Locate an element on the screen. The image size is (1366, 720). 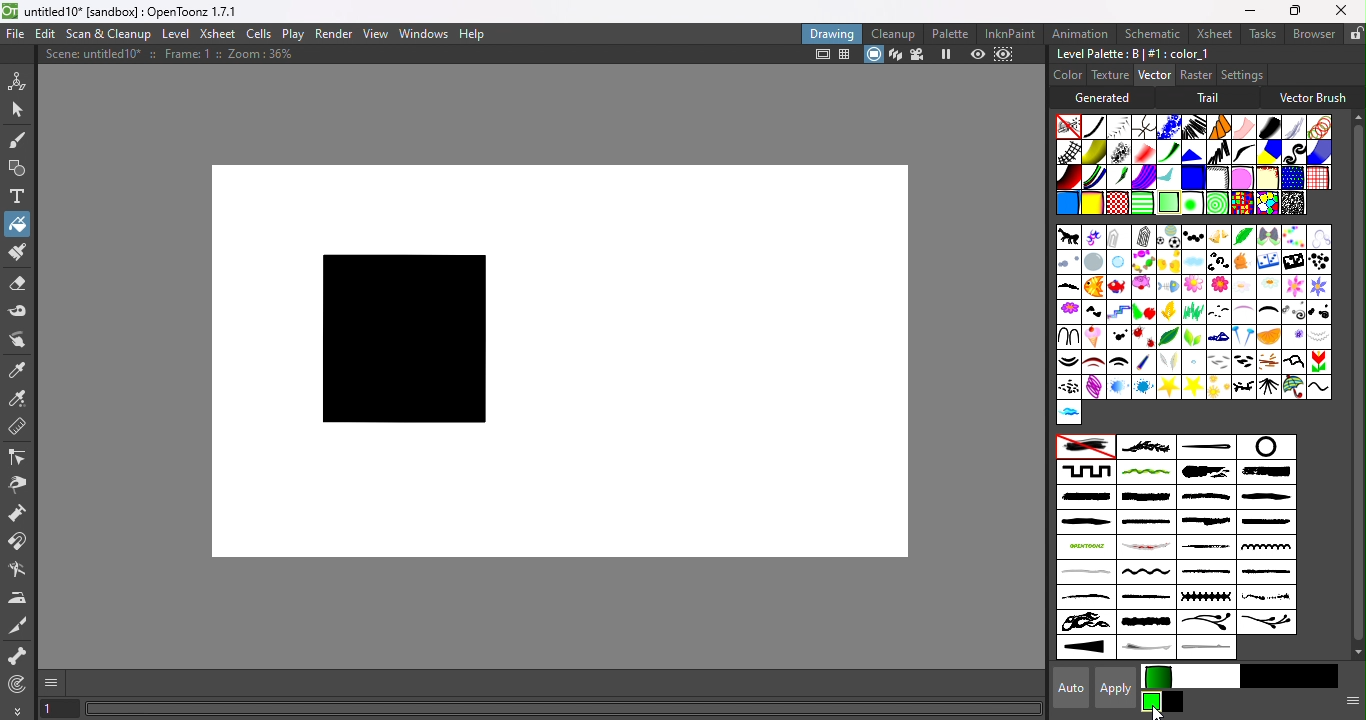
ZigZag is located at coordinates (1216, 151).